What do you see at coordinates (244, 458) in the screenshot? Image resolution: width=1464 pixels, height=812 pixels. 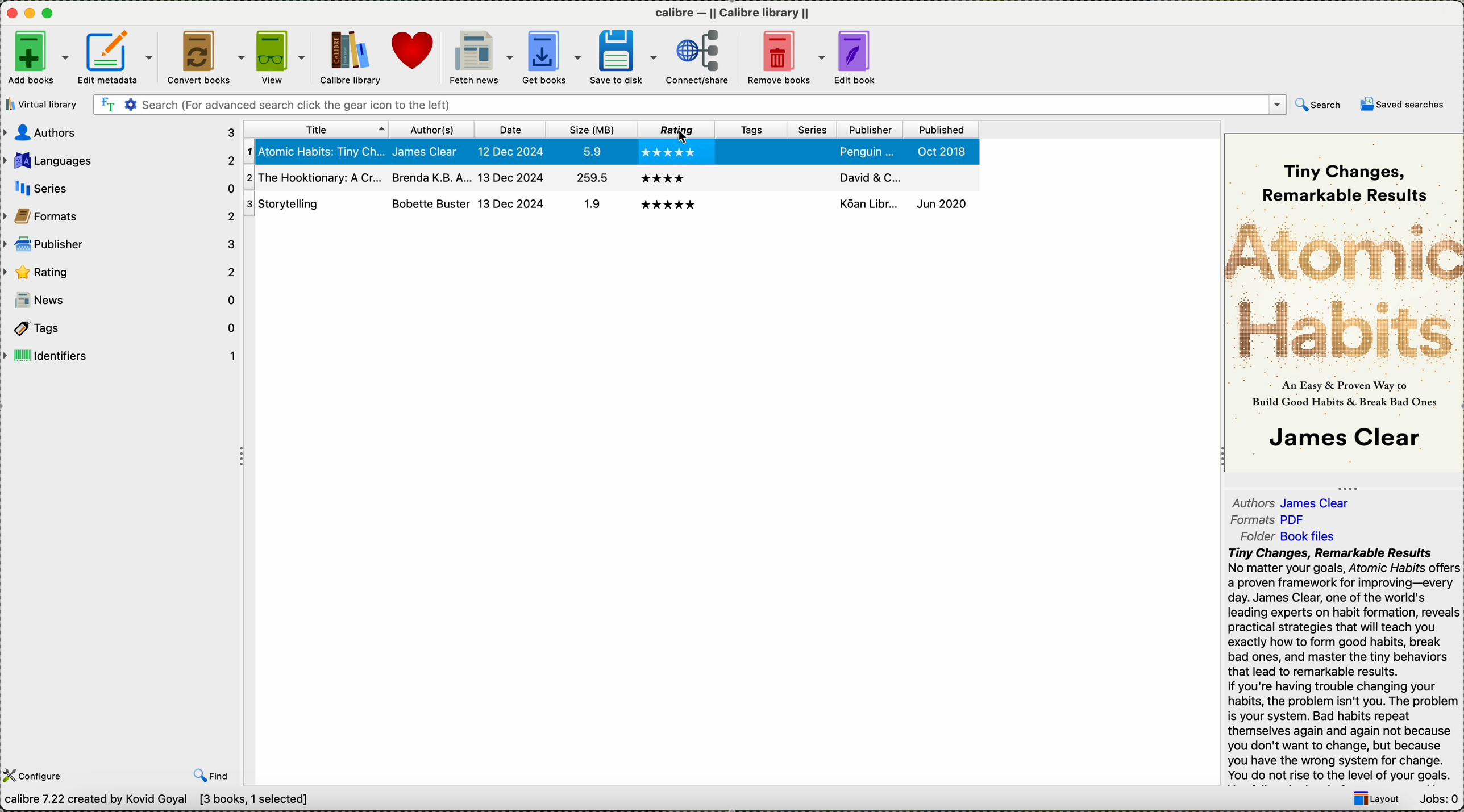 I see `Collapse` at bounding box center [244, 458].